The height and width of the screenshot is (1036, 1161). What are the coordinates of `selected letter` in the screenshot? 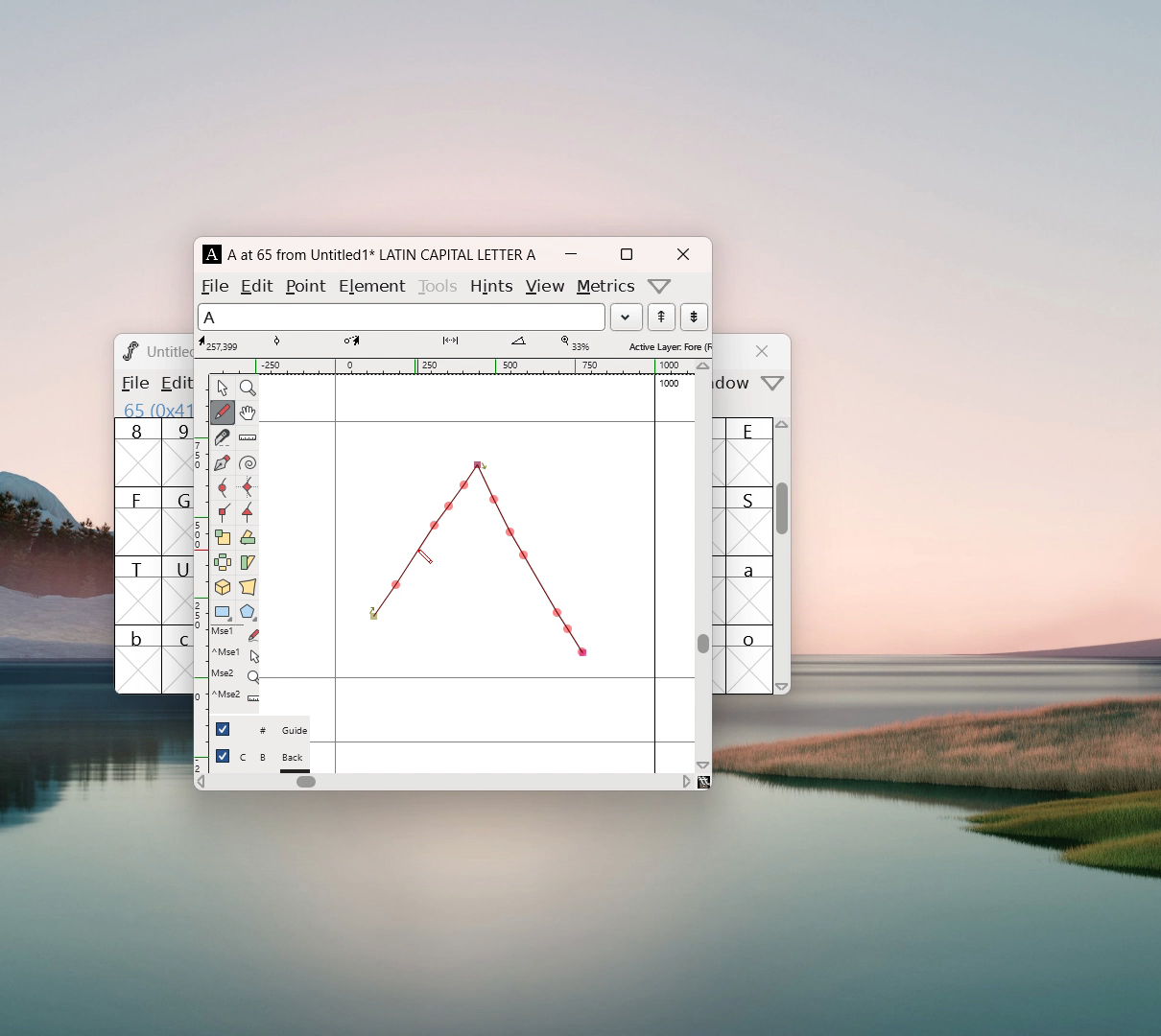 It's located at (401, 316).